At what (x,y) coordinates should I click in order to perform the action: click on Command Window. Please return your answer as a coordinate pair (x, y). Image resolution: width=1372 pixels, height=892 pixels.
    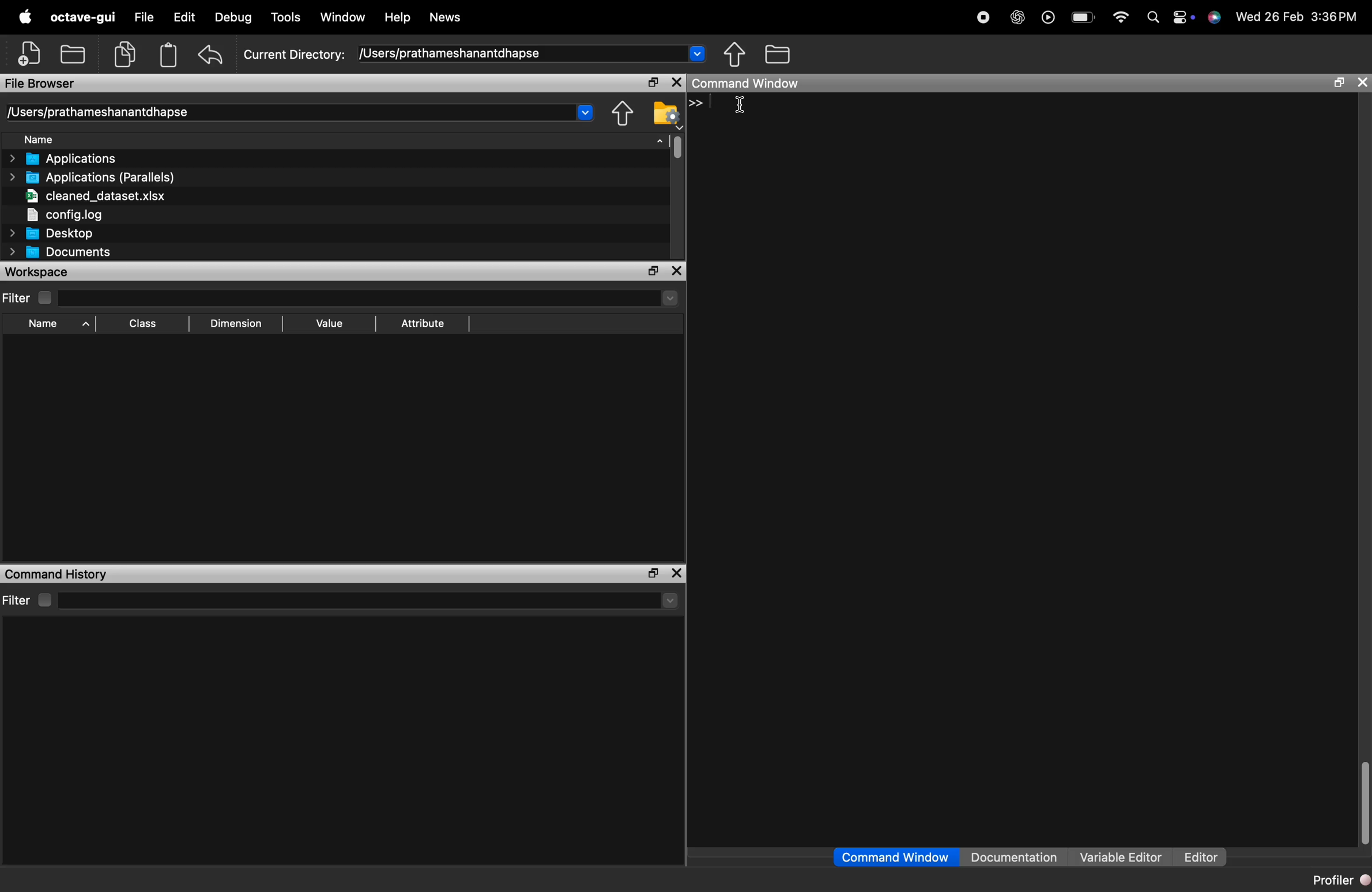
    Looking at the image, I should click on (1006, 83).